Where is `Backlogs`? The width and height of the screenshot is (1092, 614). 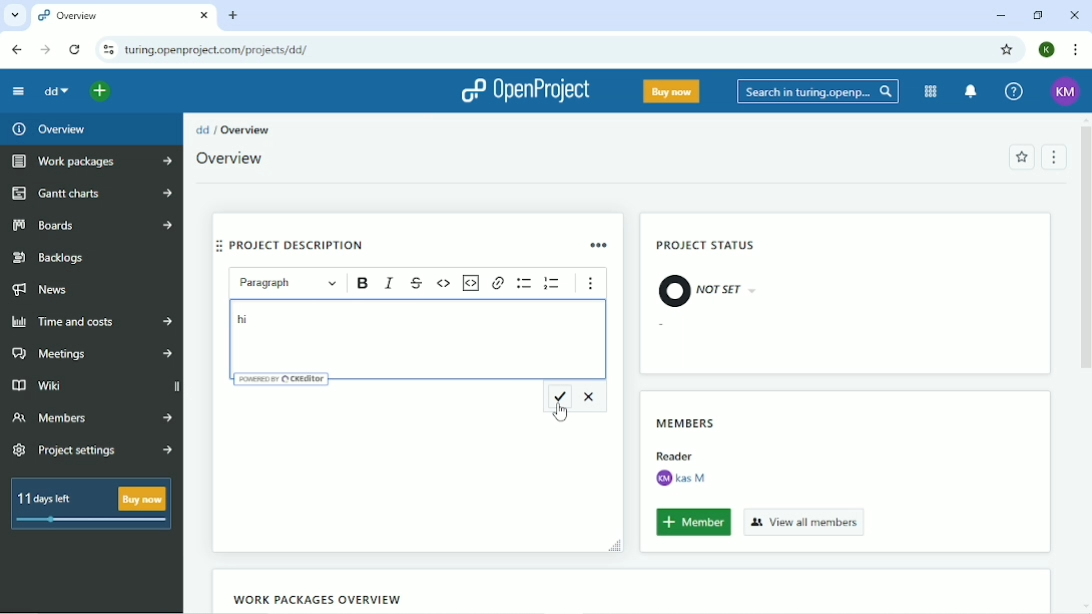
Backlogs is located at coordinates (51, 258).